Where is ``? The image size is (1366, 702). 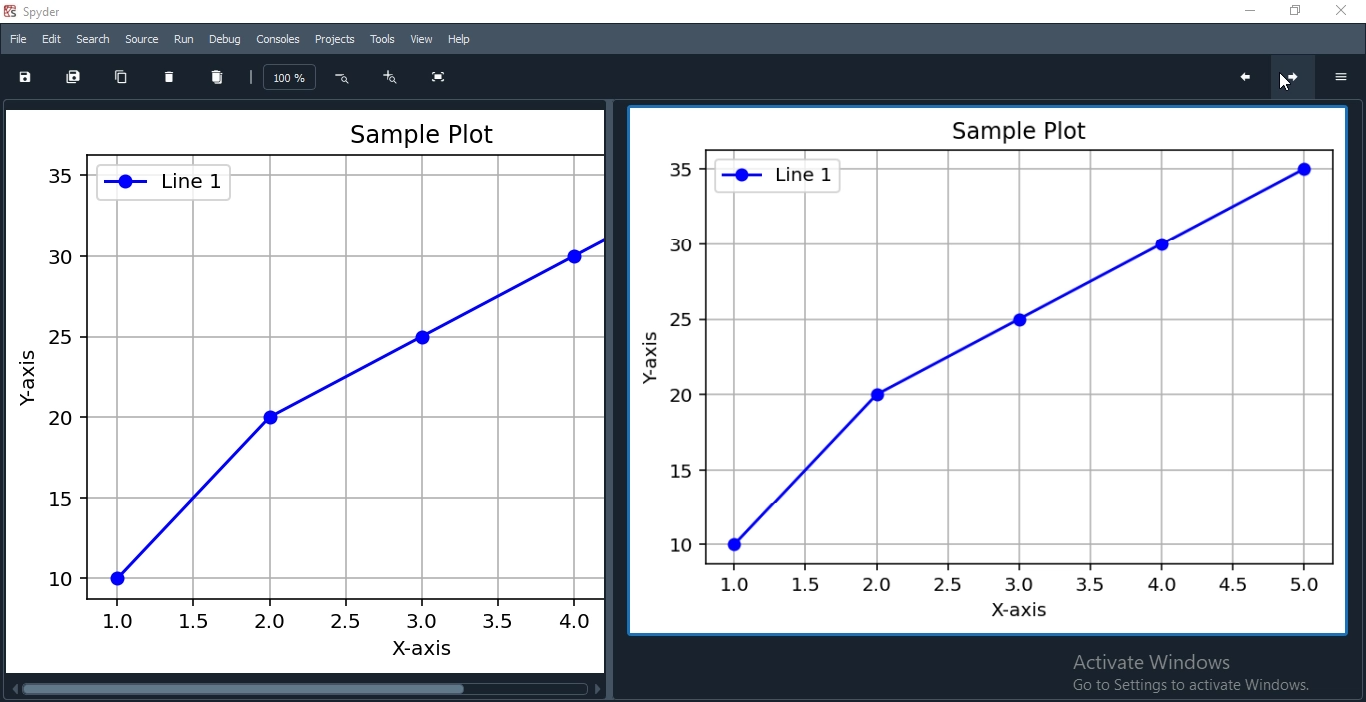  is located at coordinates (340, 78).